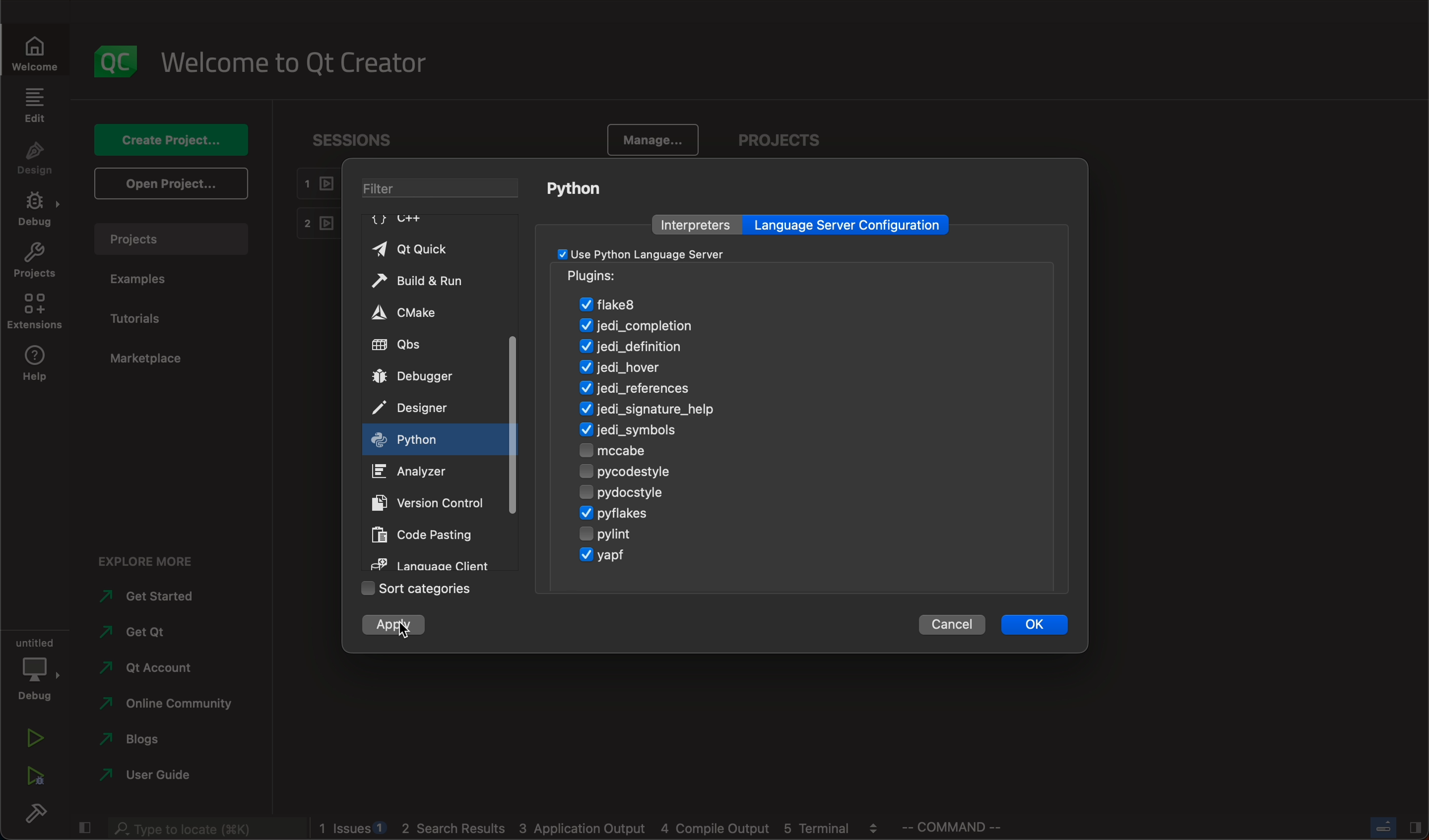 The width and height of the screenshot is (1429, 840). What do you see at coordinates (405, 631) in the screenshot?
I see `cursor` at bounding box center [405, 631].